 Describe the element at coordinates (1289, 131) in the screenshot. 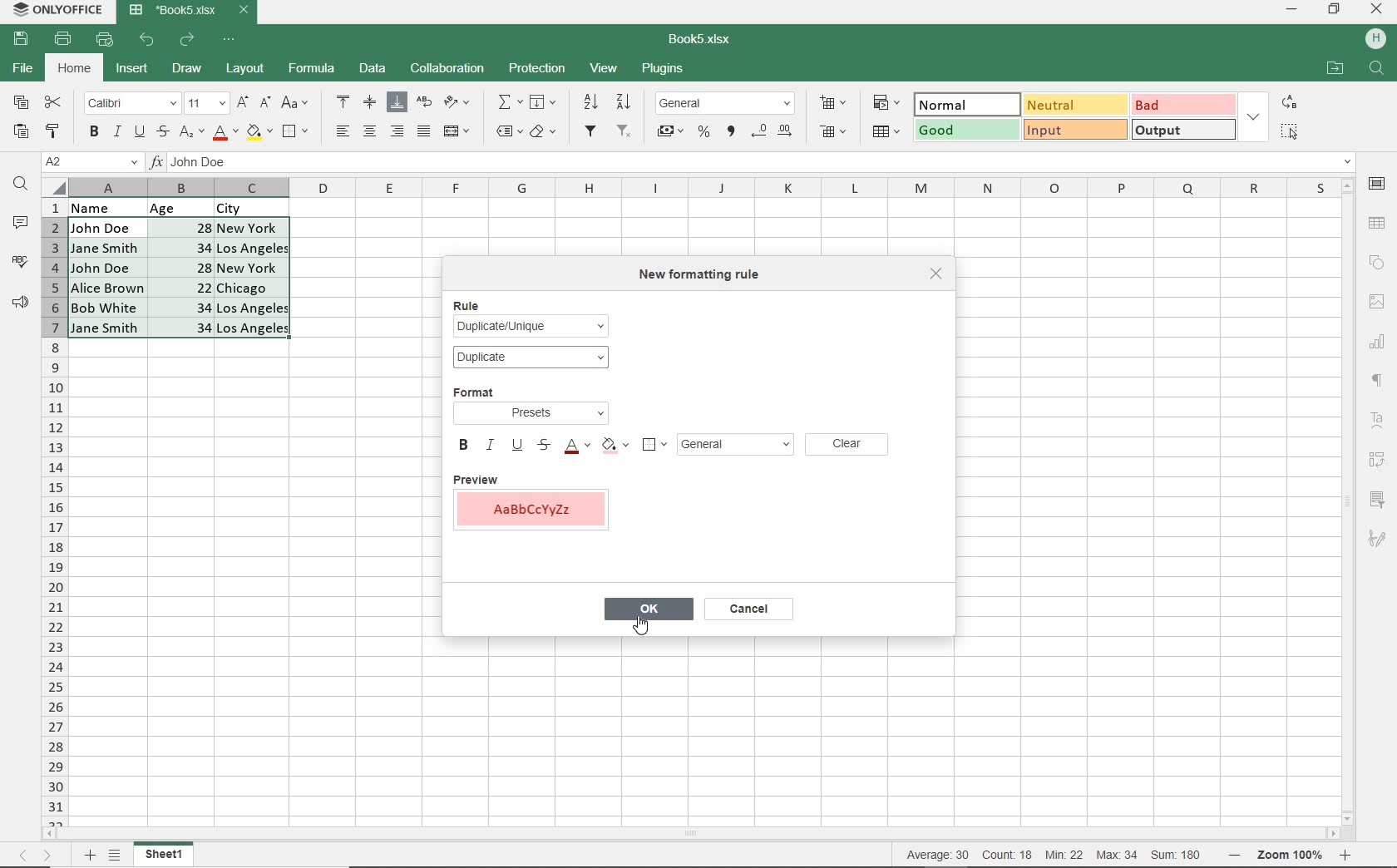

I see `SELECT ALL` at that location.